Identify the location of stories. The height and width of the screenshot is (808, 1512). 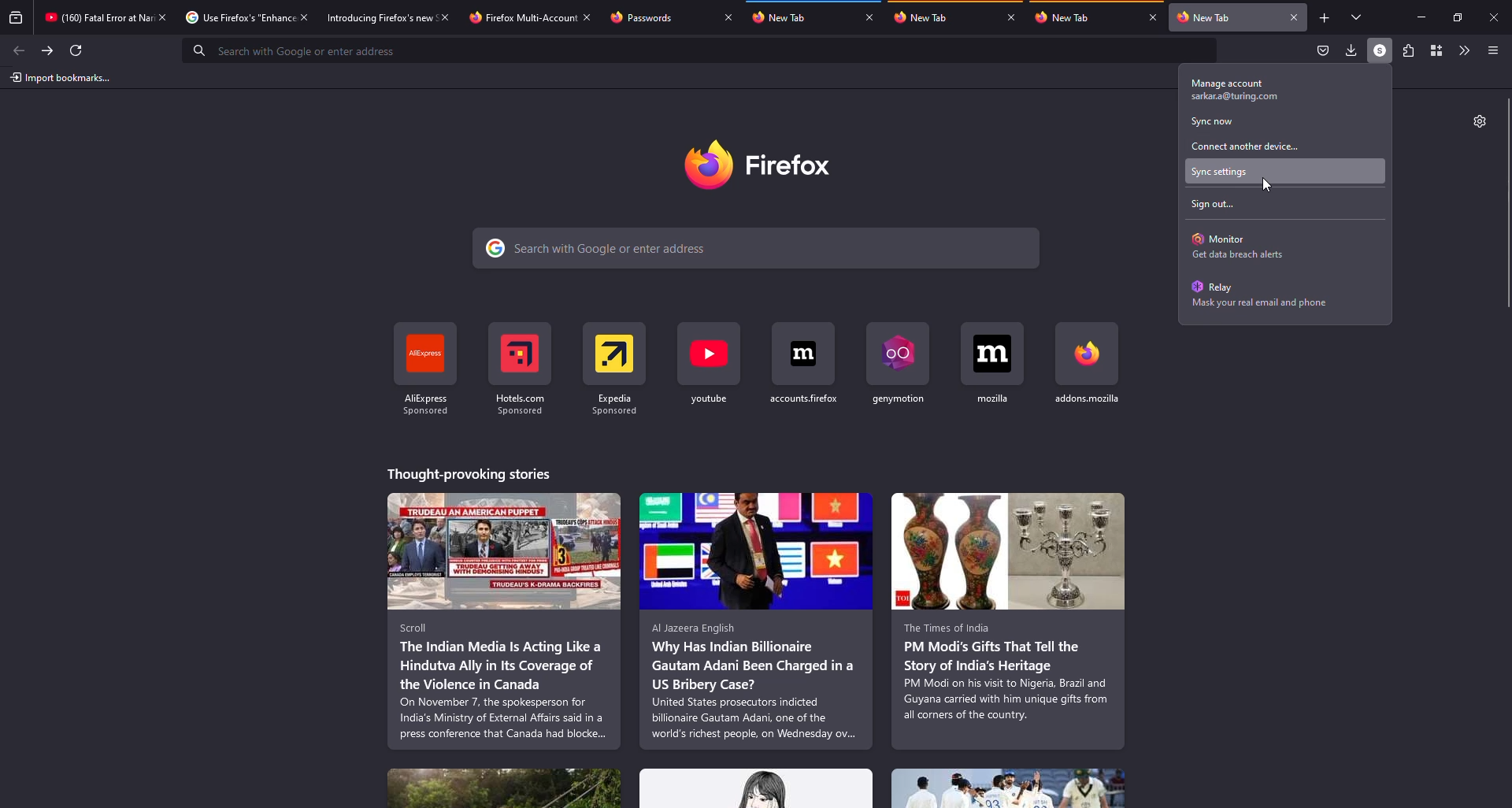
(757, 620).